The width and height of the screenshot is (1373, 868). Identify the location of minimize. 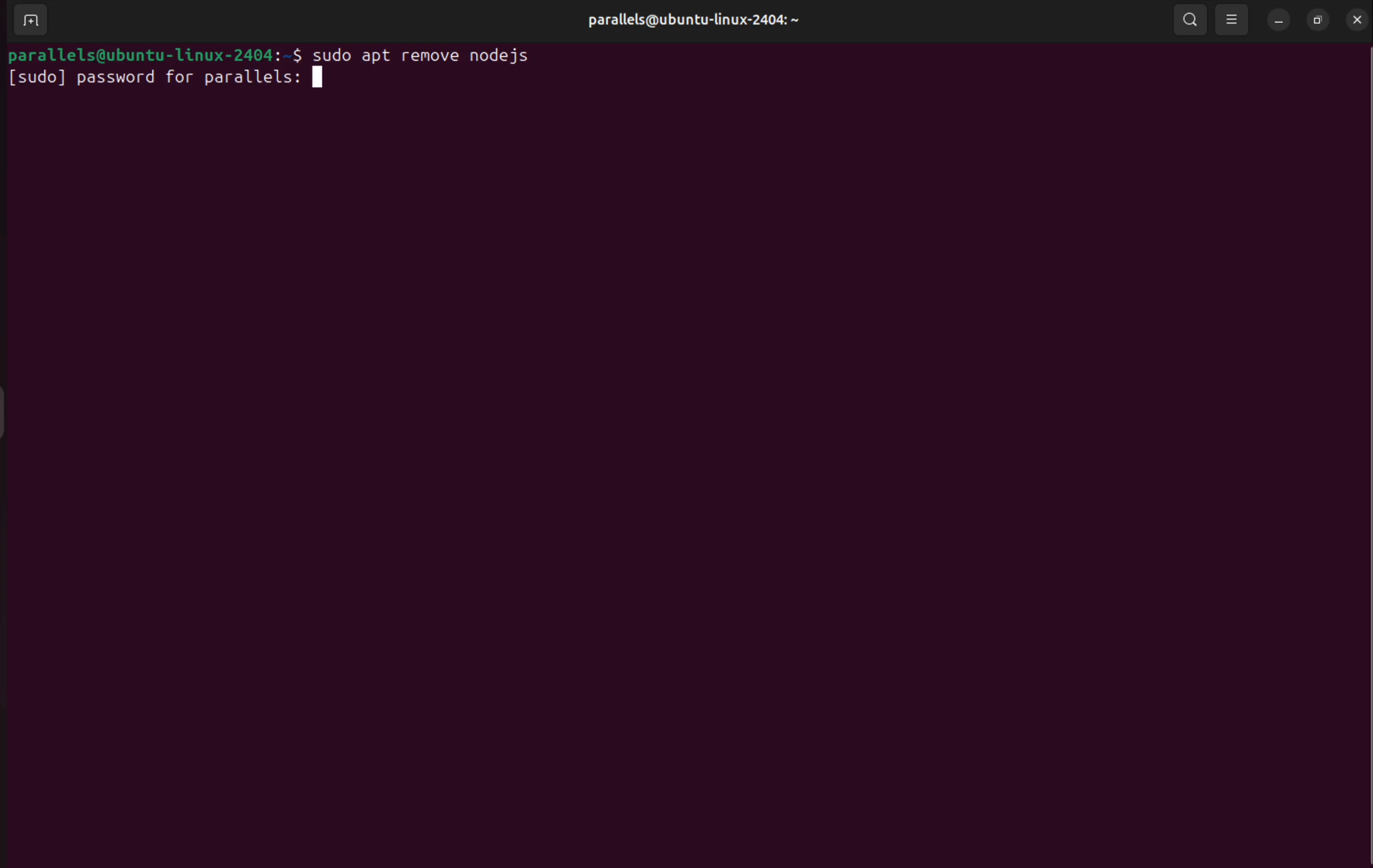
(1277, 21).